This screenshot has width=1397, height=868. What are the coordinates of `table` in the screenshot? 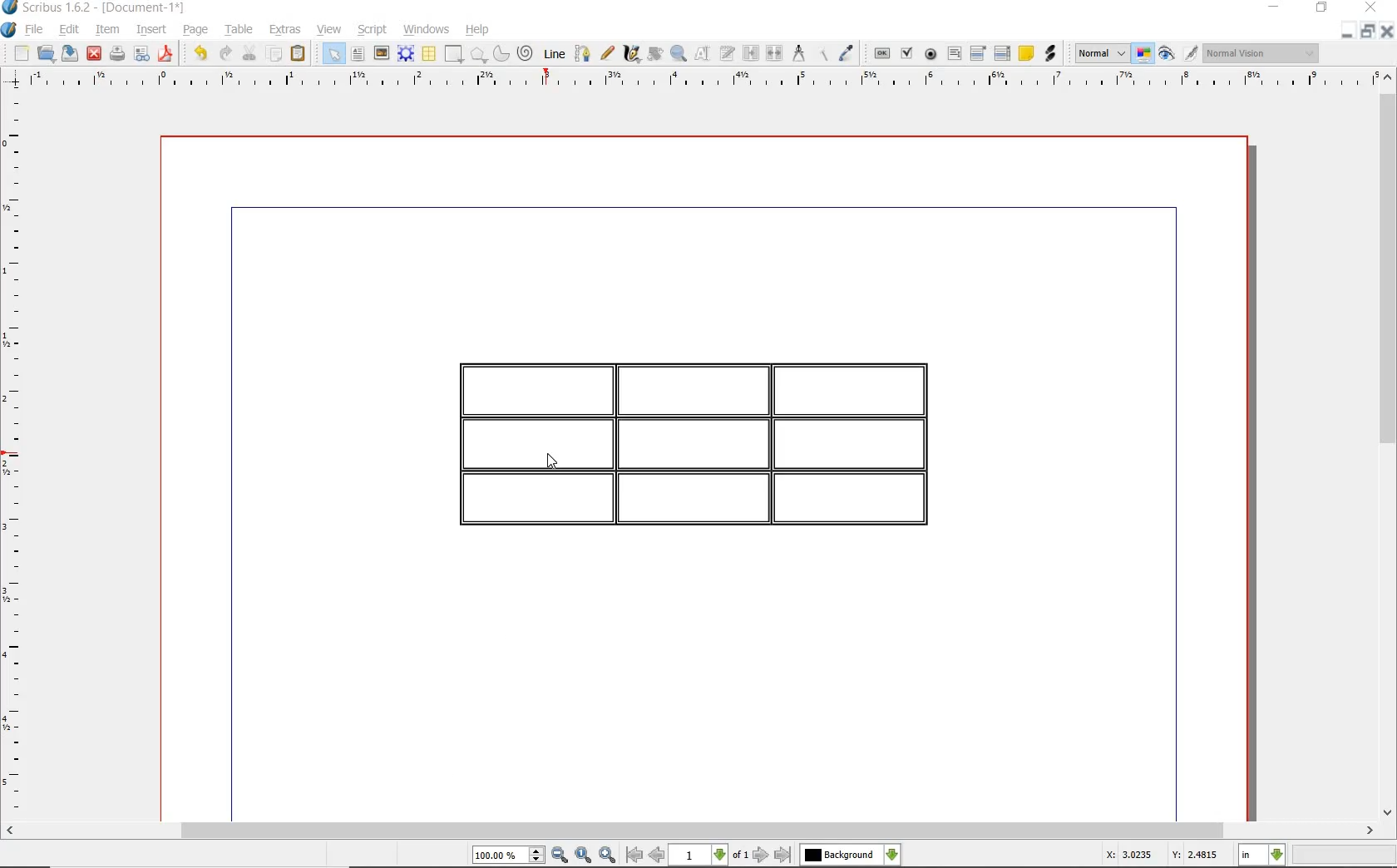 It's located at (720, 442).